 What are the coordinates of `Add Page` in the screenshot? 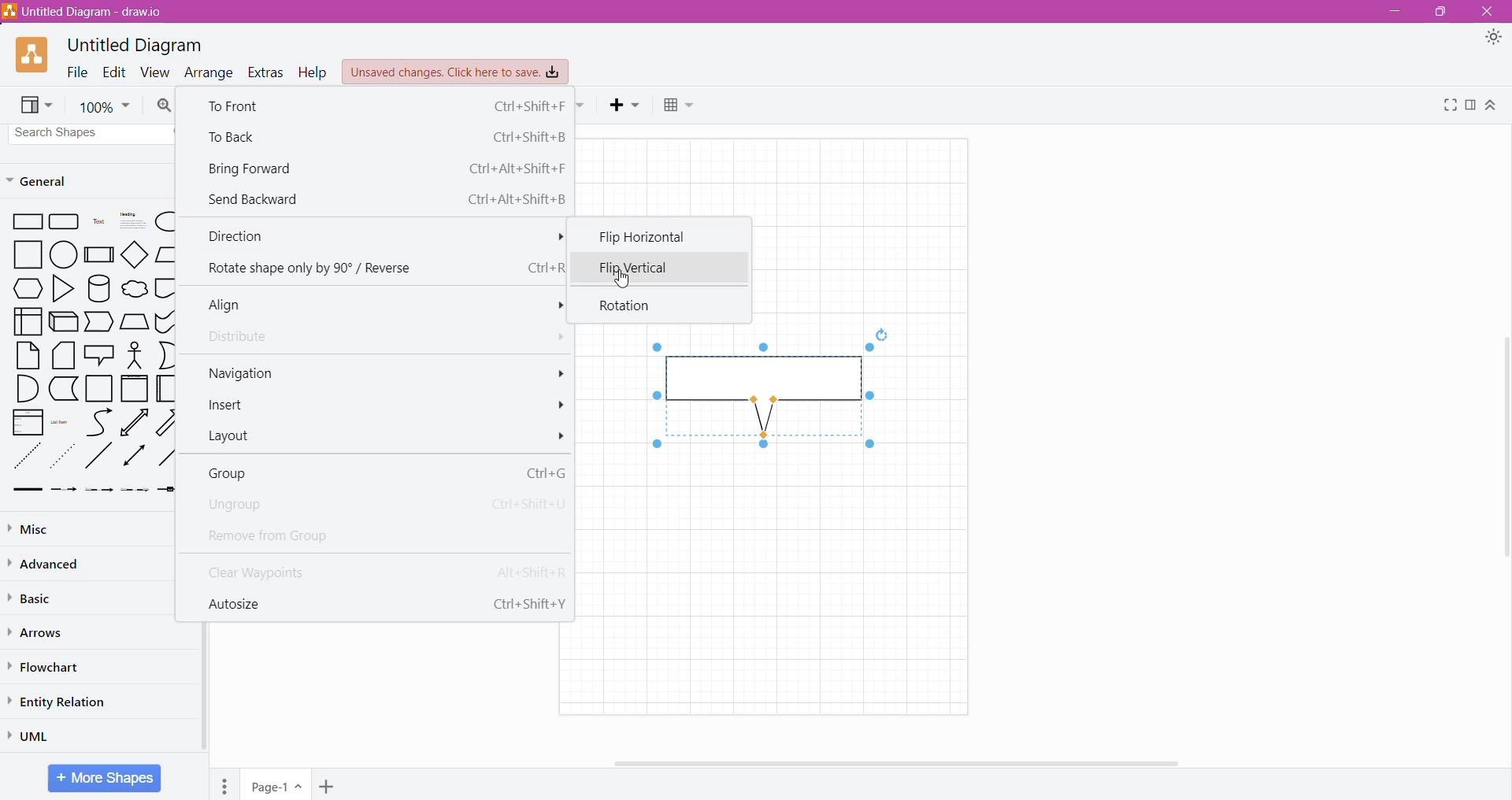 It's located at (326, 786).